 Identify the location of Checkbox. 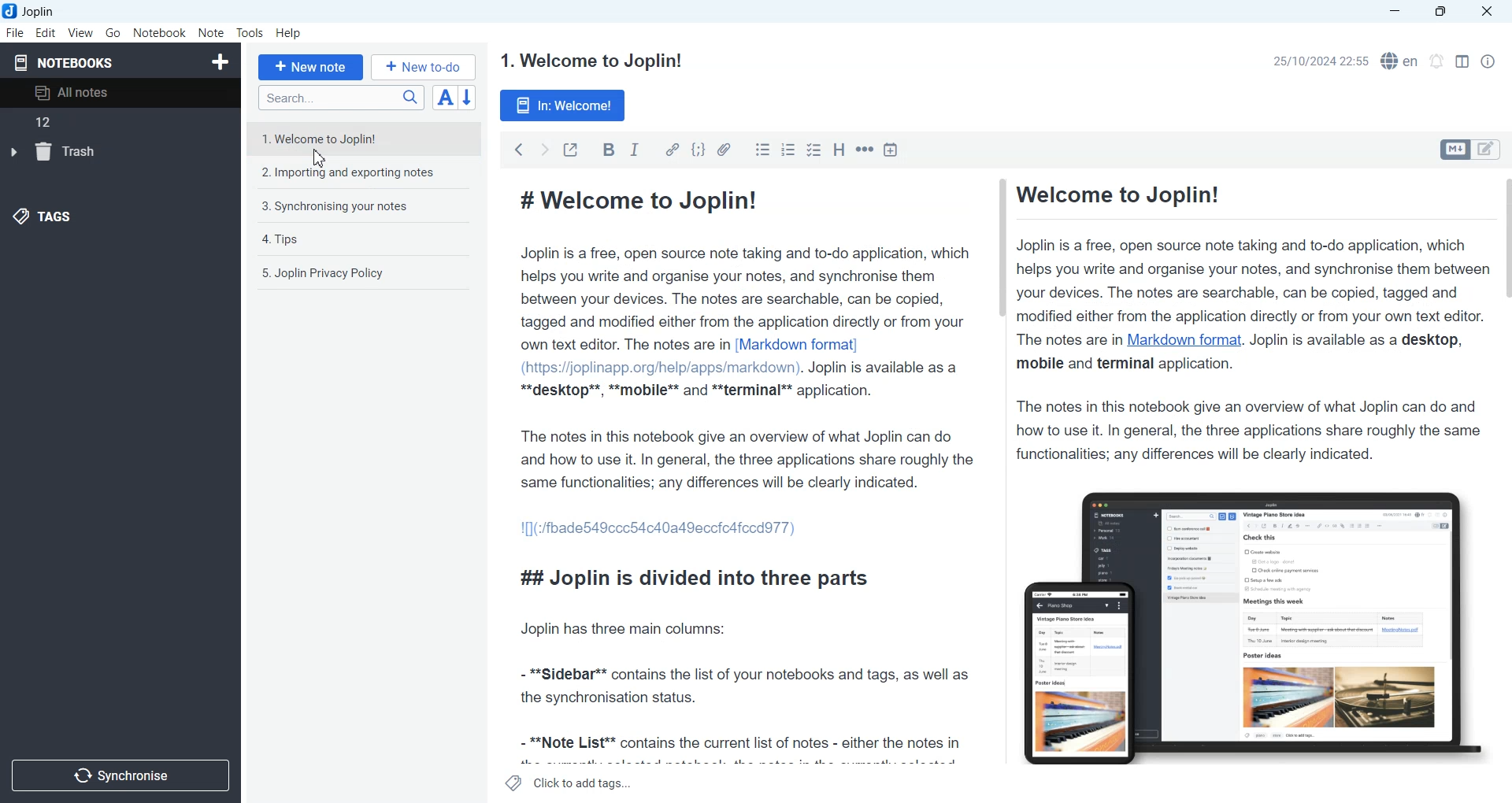
(816, 150).